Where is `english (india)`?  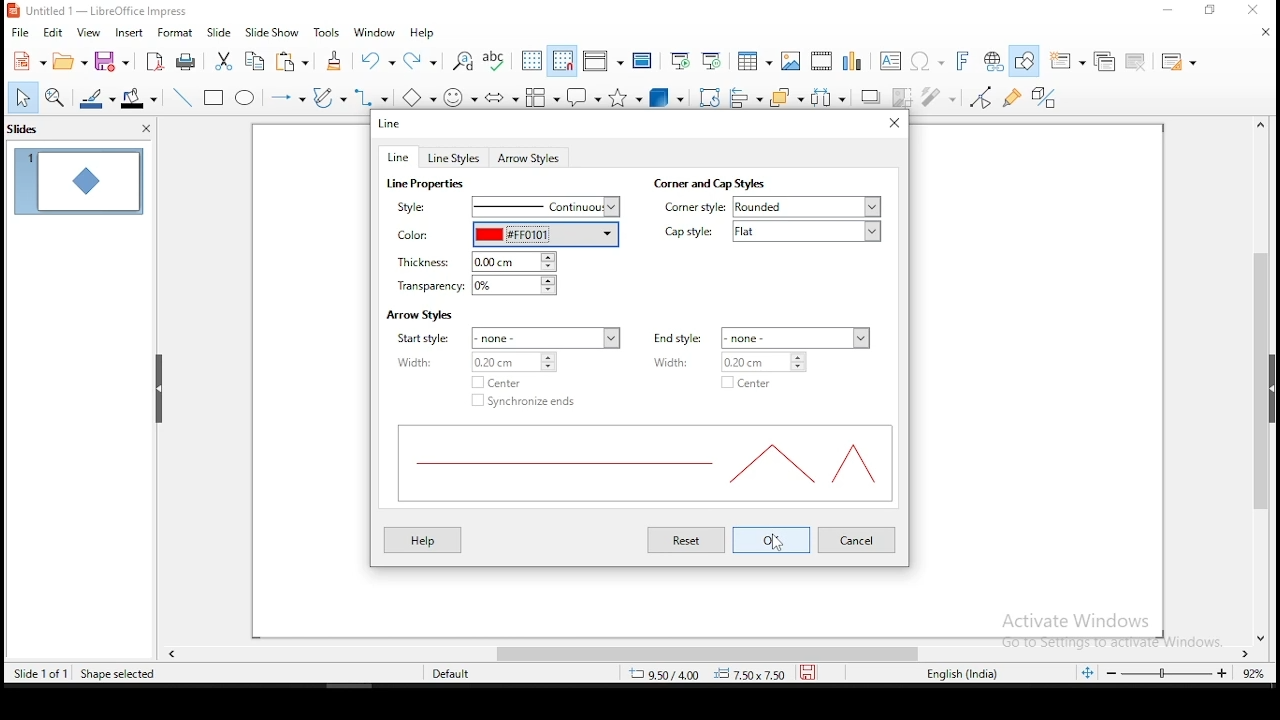
english (india) is located at coordinates (968, 674).